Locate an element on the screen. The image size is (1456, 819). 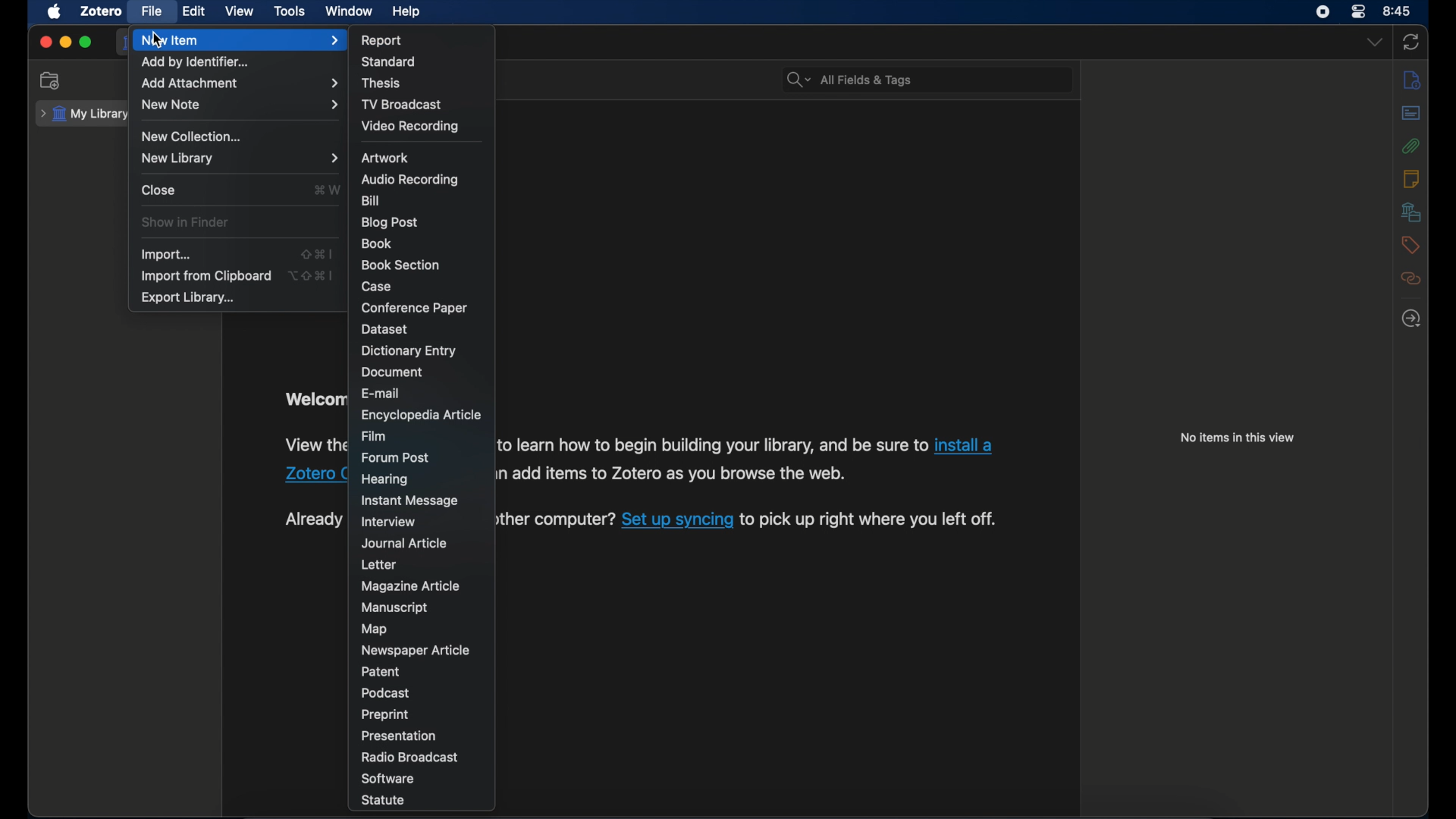
show in finder is located at coordinates (185, 222).